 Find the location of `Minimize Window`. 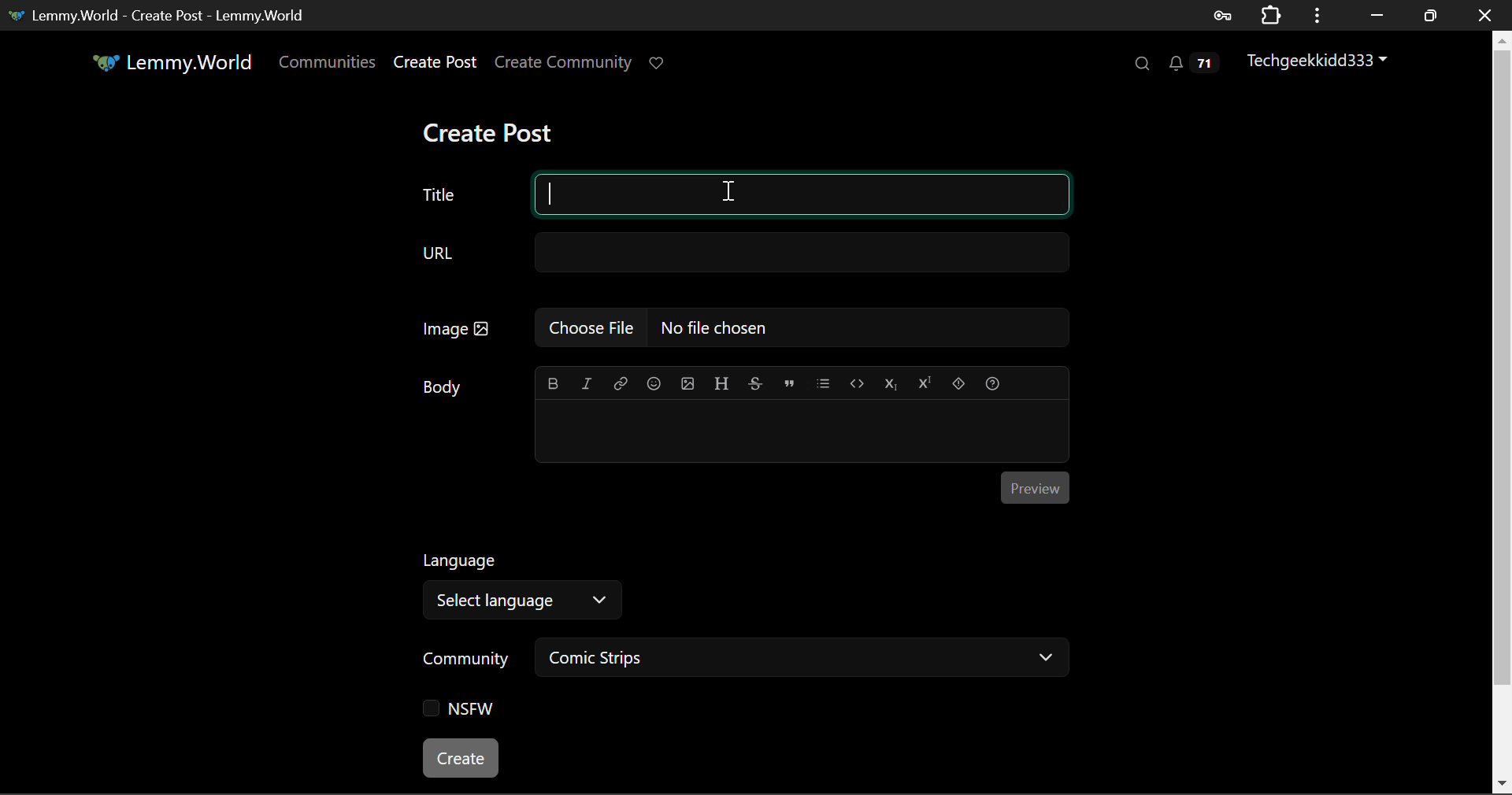

Minimize Window is located at coordinates (1430, 13).